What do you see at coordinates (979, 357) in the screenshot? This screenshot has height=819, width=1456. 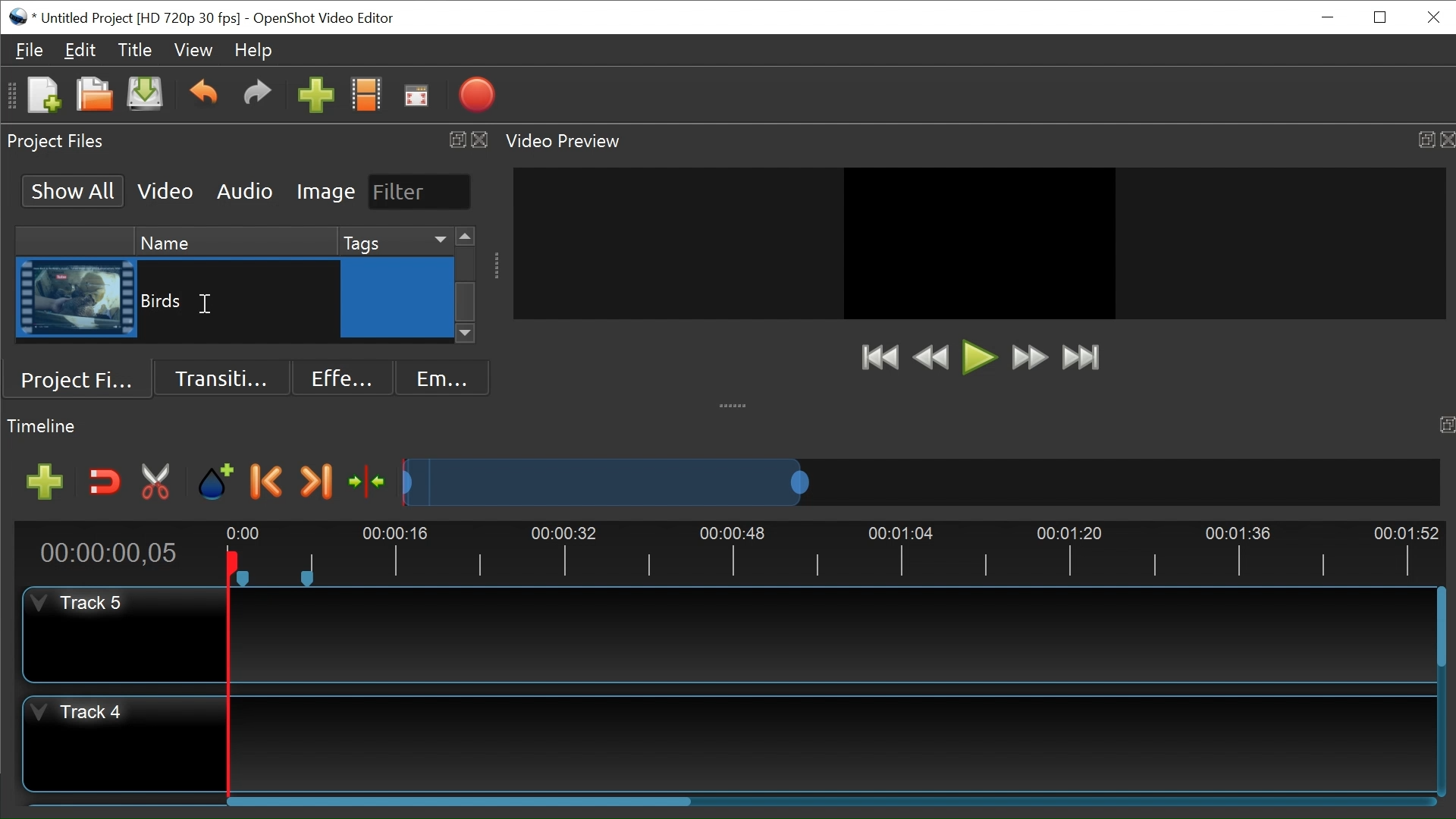 I see `Play` at bounding box center [979, 357].